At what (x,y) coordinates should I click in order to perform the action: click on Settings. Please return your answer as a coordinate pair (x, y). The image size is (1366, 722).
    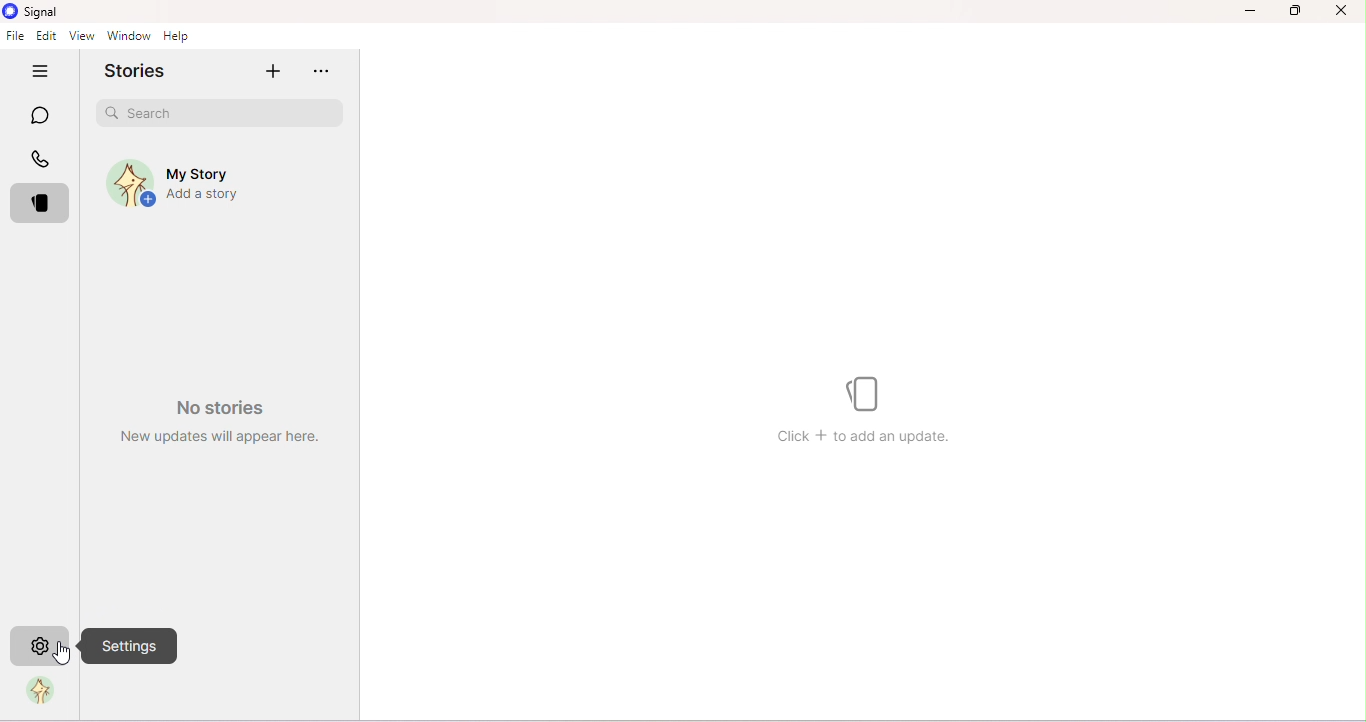
    Looking at the image, I should click on (40, 647).